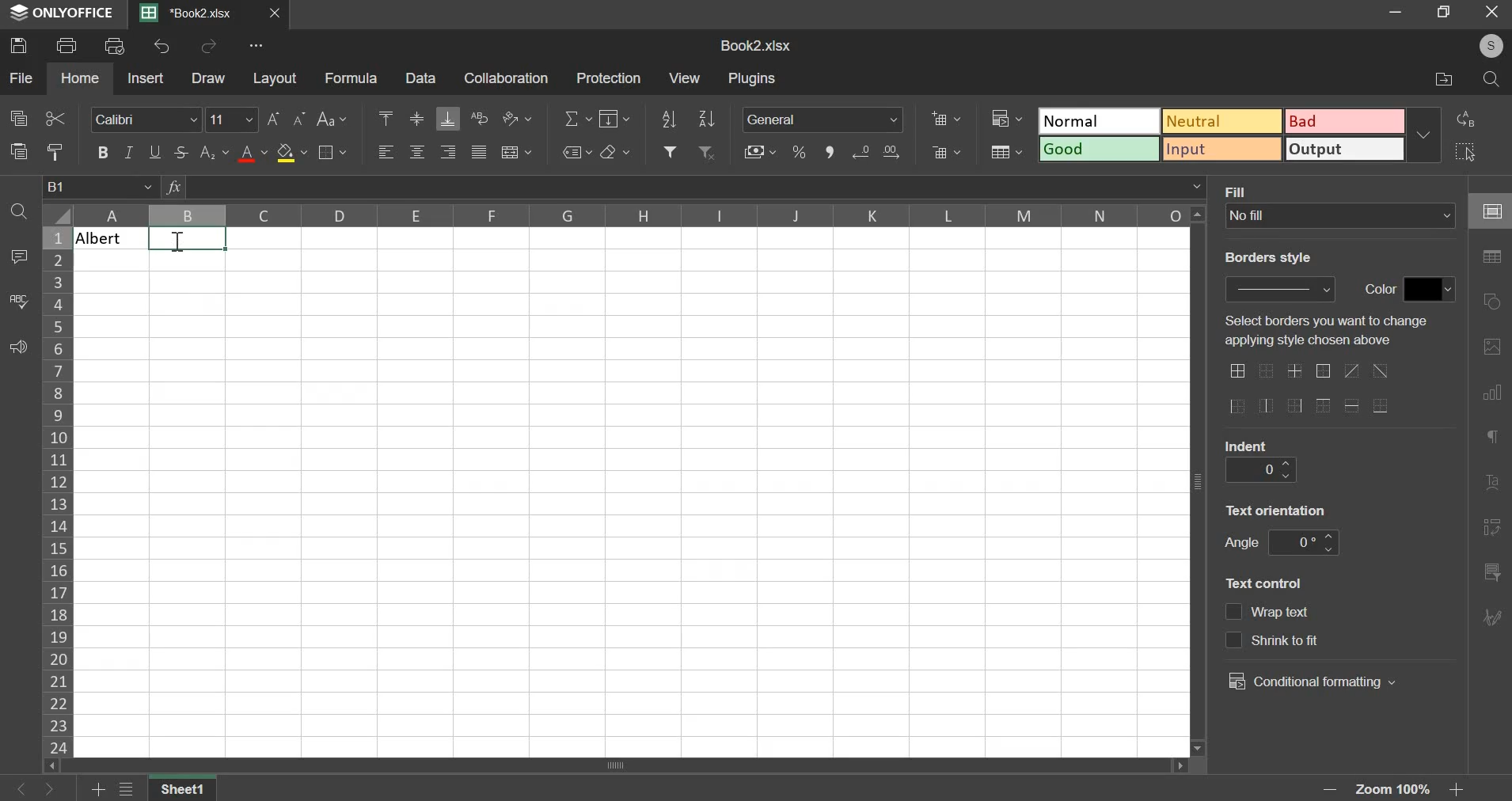  Describe the element at coordinates (1006, 116) in the screenshot. I see `conditional formatting` at that location.